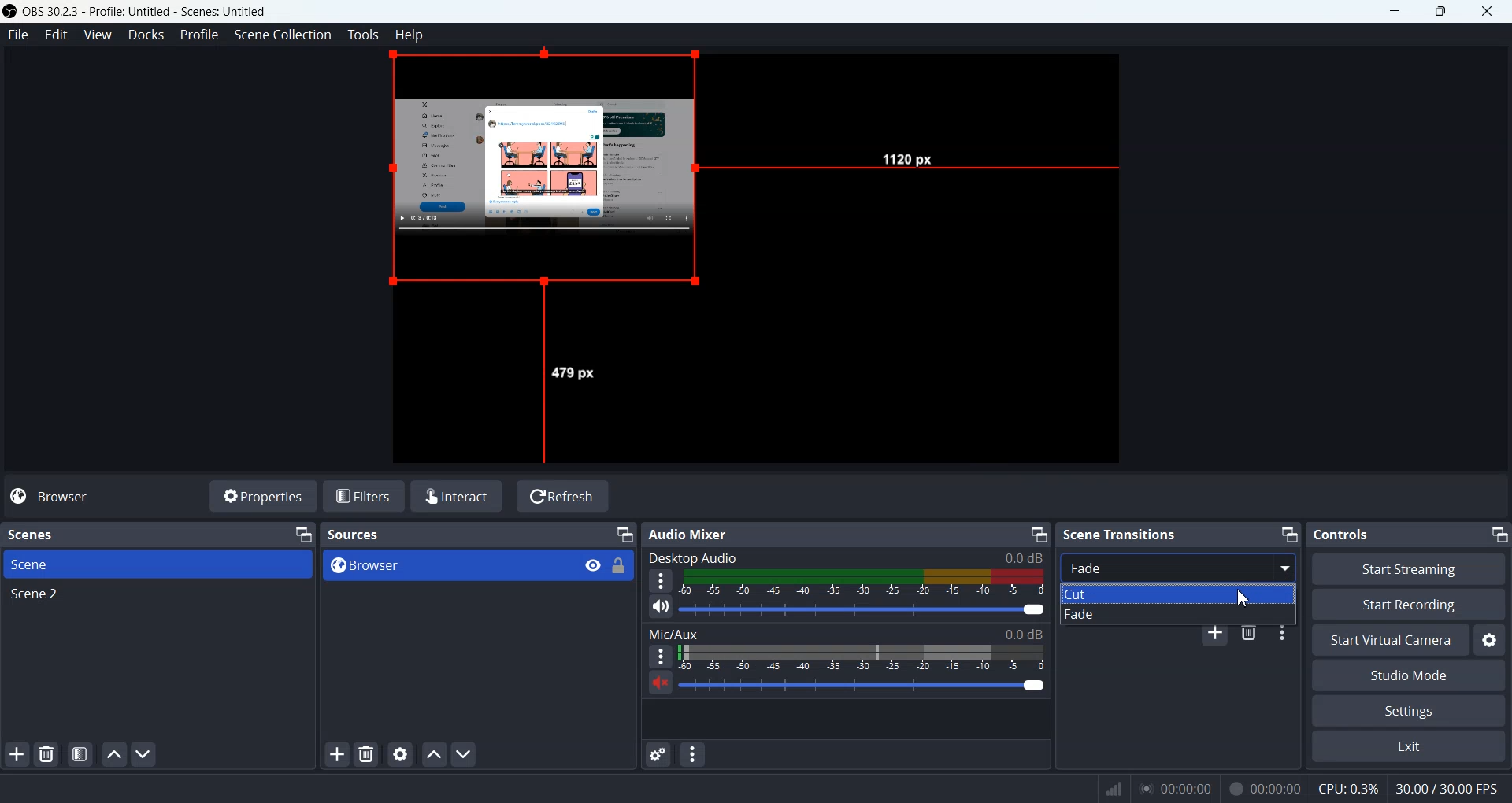  I want to click on Help, so click(409, 35).